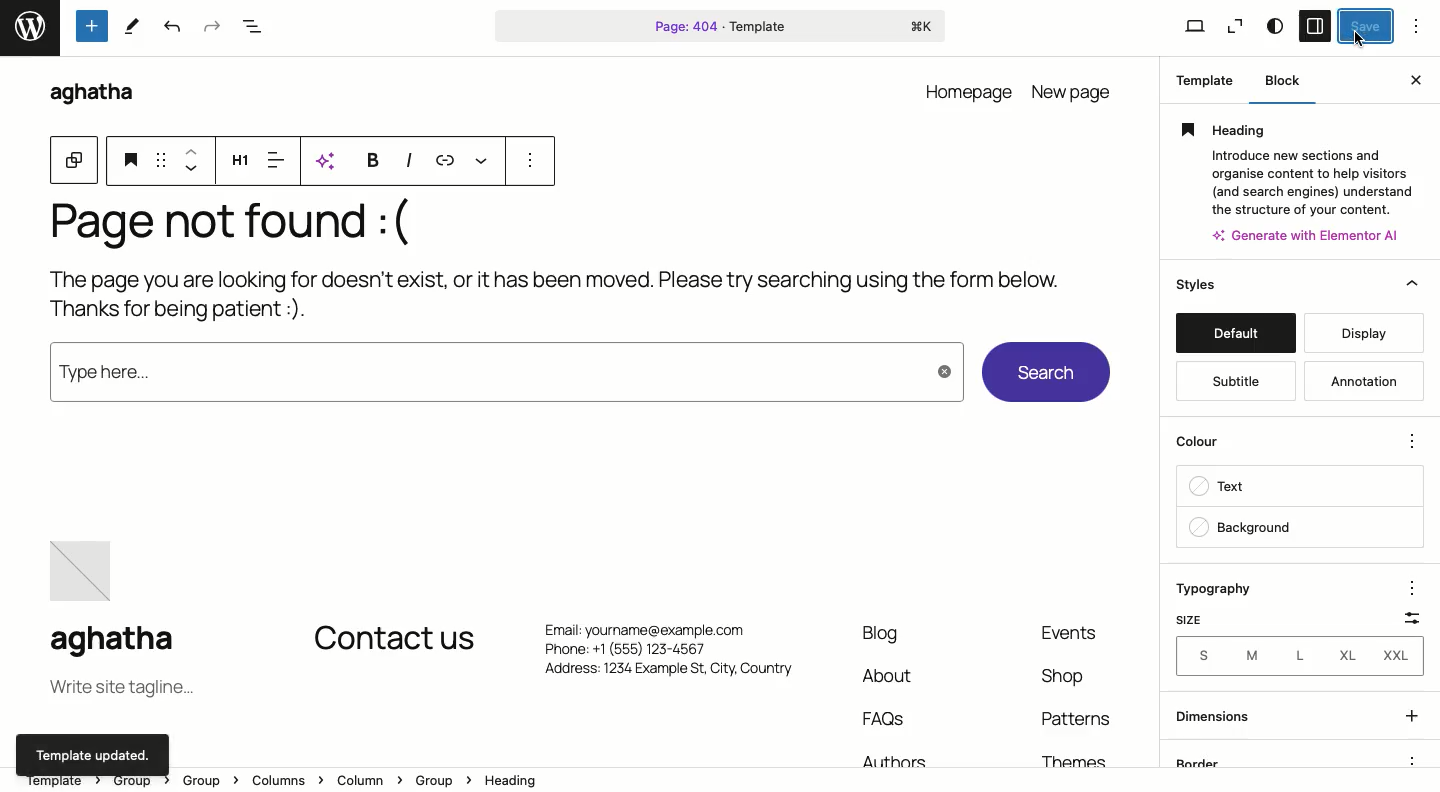 This screenshot has height=792, width=1440. Describe the element at coordinates (1244, 531) in the screenshot. I see `backgroung` at that location.